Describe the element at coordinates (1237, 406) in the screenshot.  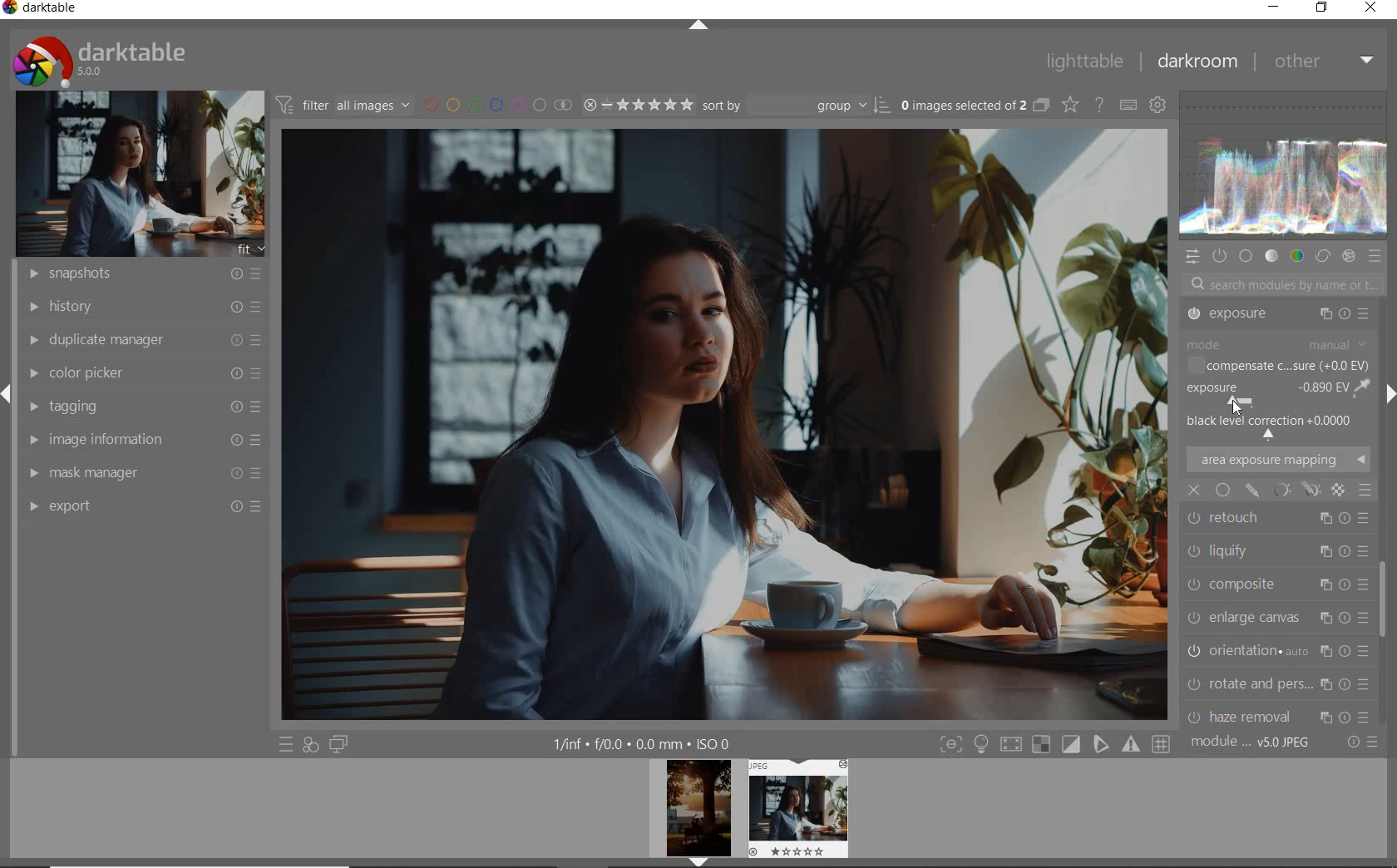
I see `cursor position` at that location.